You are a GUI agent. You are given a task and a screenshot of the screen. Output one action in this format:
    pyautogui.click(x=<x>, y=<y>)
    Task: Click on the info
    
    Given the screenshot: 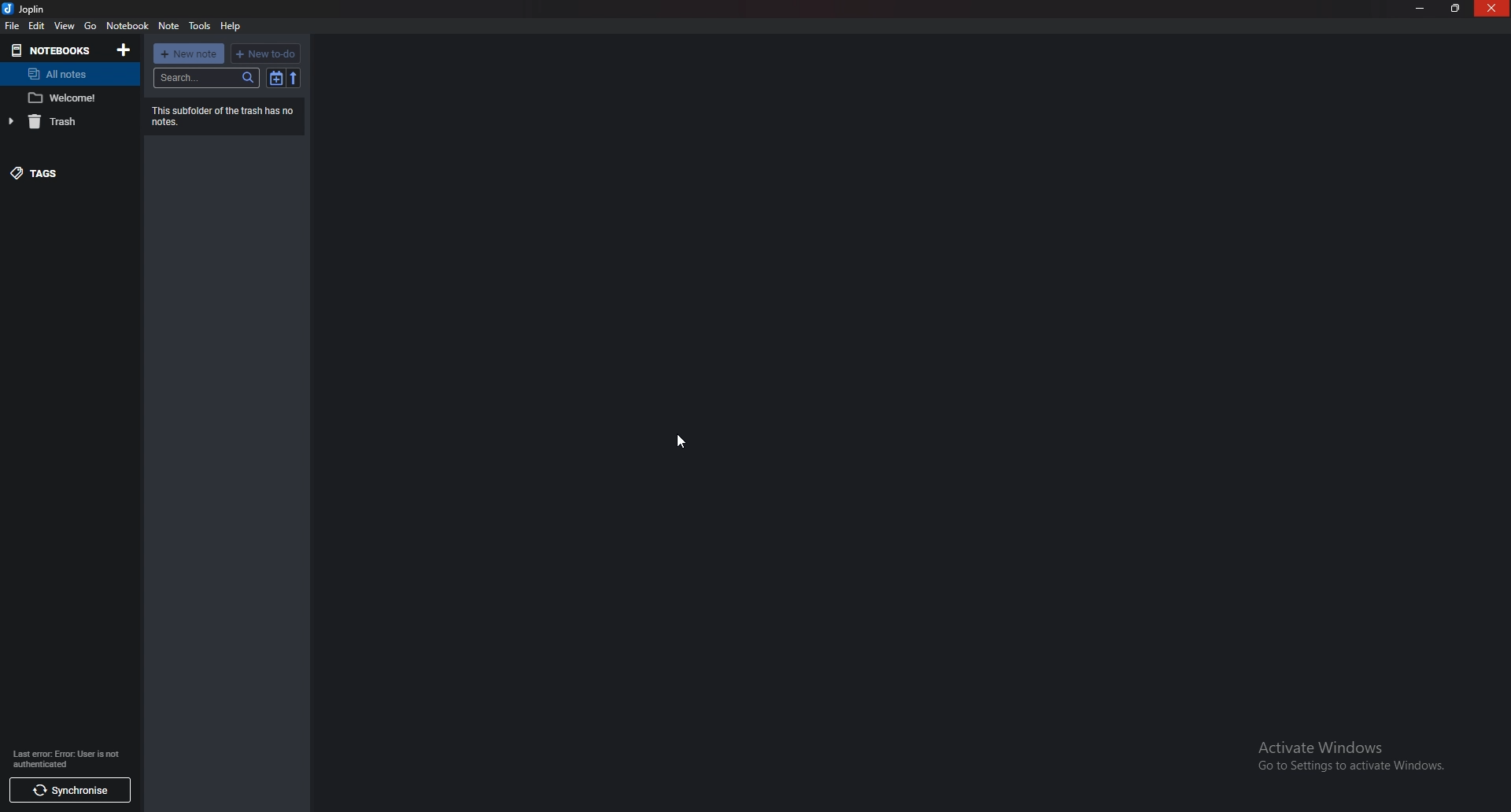 What is the action you would take?
    pyautogui.click(x=64, y=758)
    